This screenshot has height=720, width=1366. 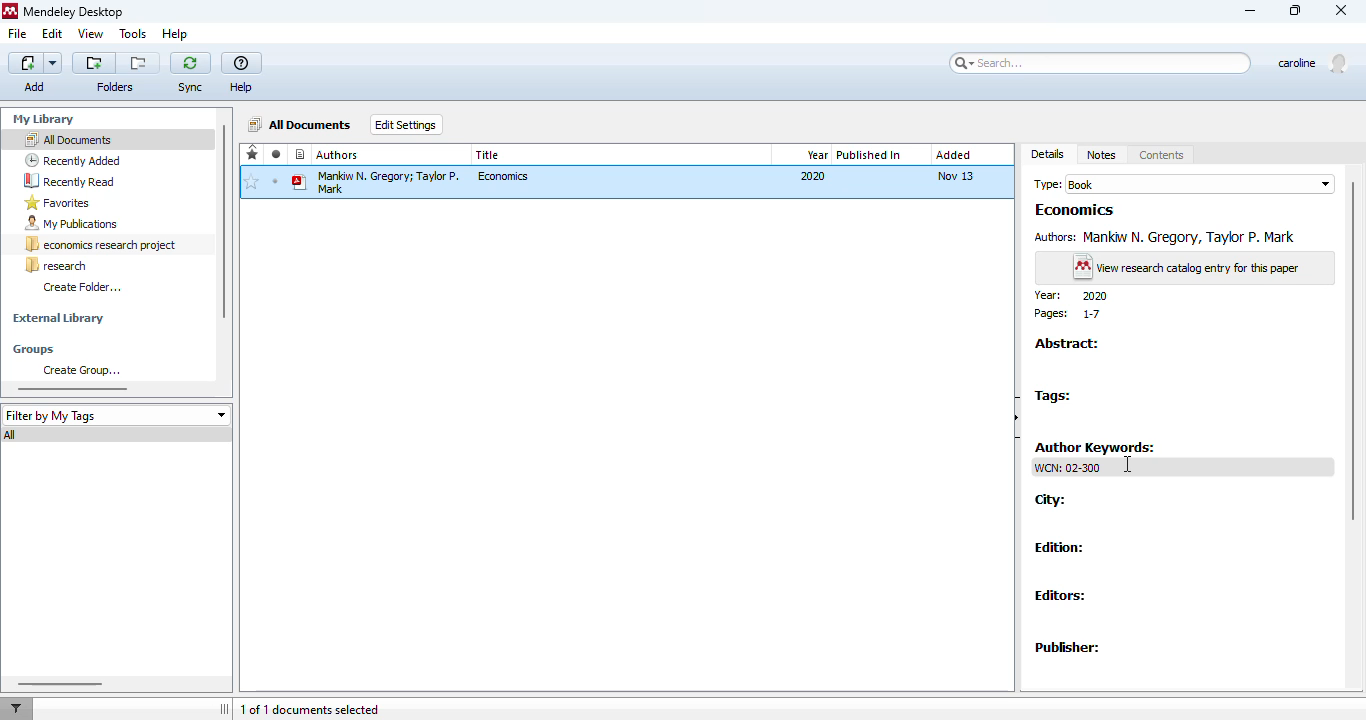 I want to click on hide document details, so click(x=1018, y=416).